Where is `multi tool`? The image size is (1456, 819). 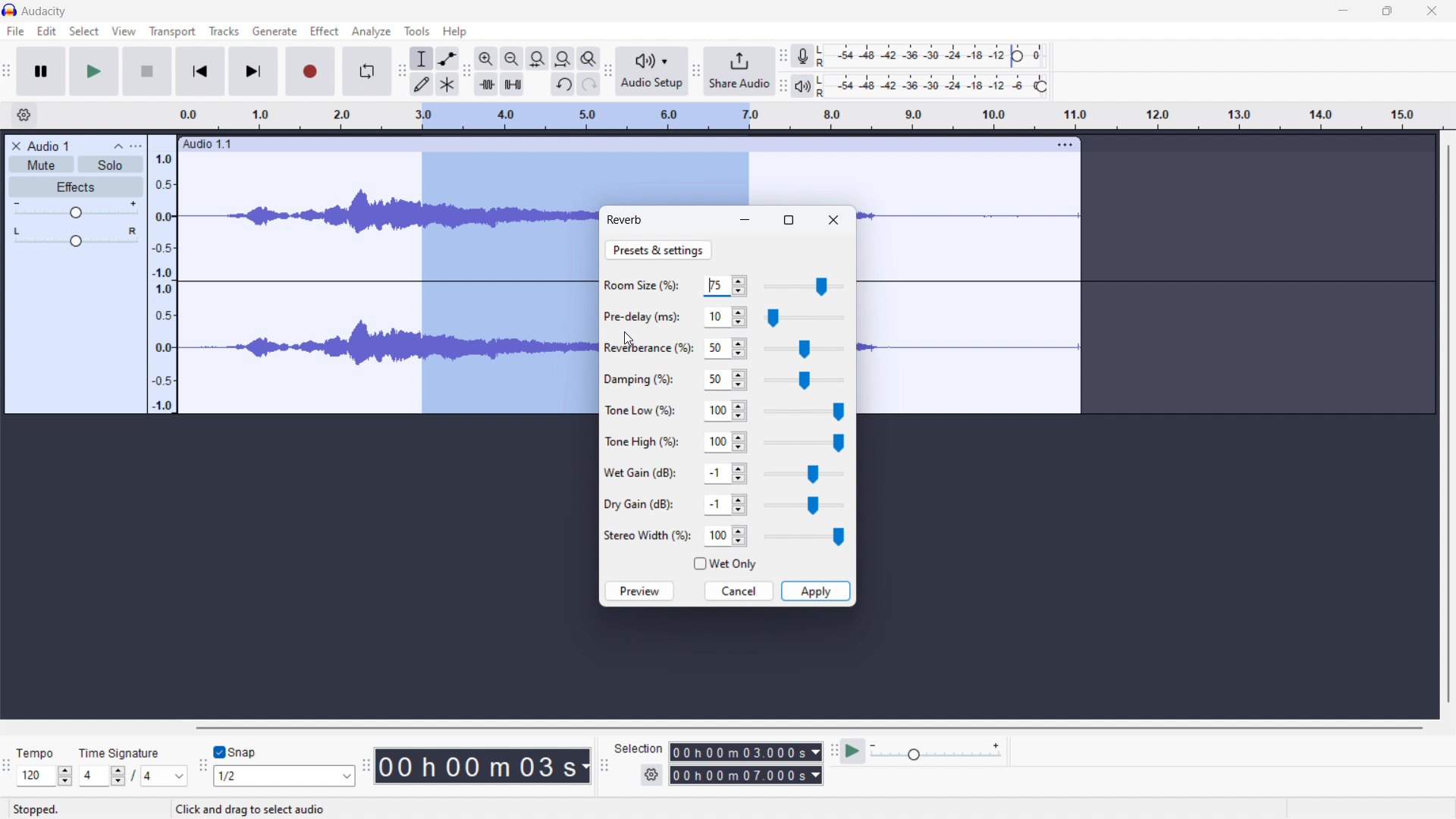 multi tool is located at coordinates (447, 83).